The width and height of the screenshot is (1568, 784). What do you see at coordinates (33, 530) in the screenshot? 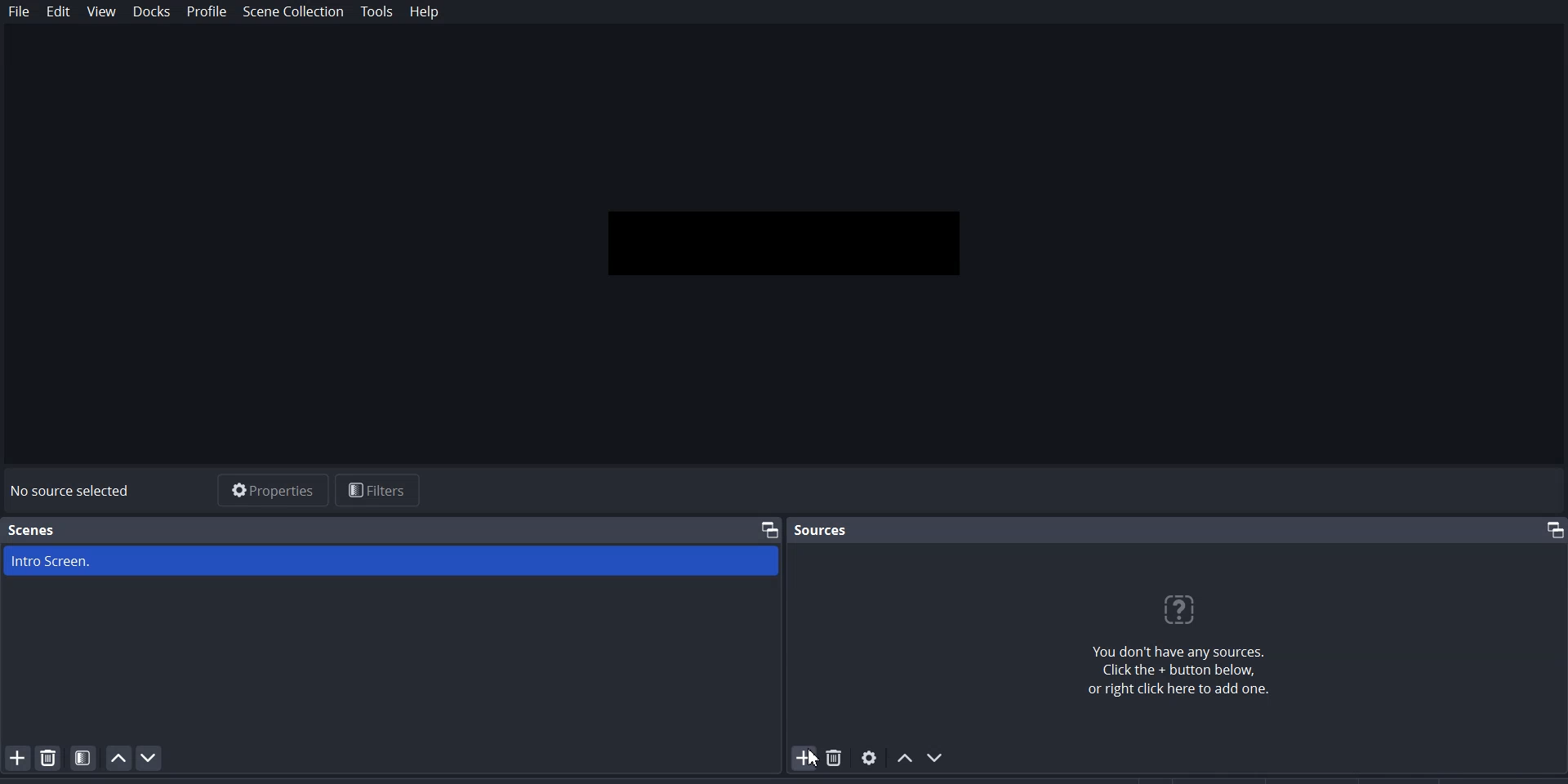
I see `Scenes` at bounding box center [33, 530].